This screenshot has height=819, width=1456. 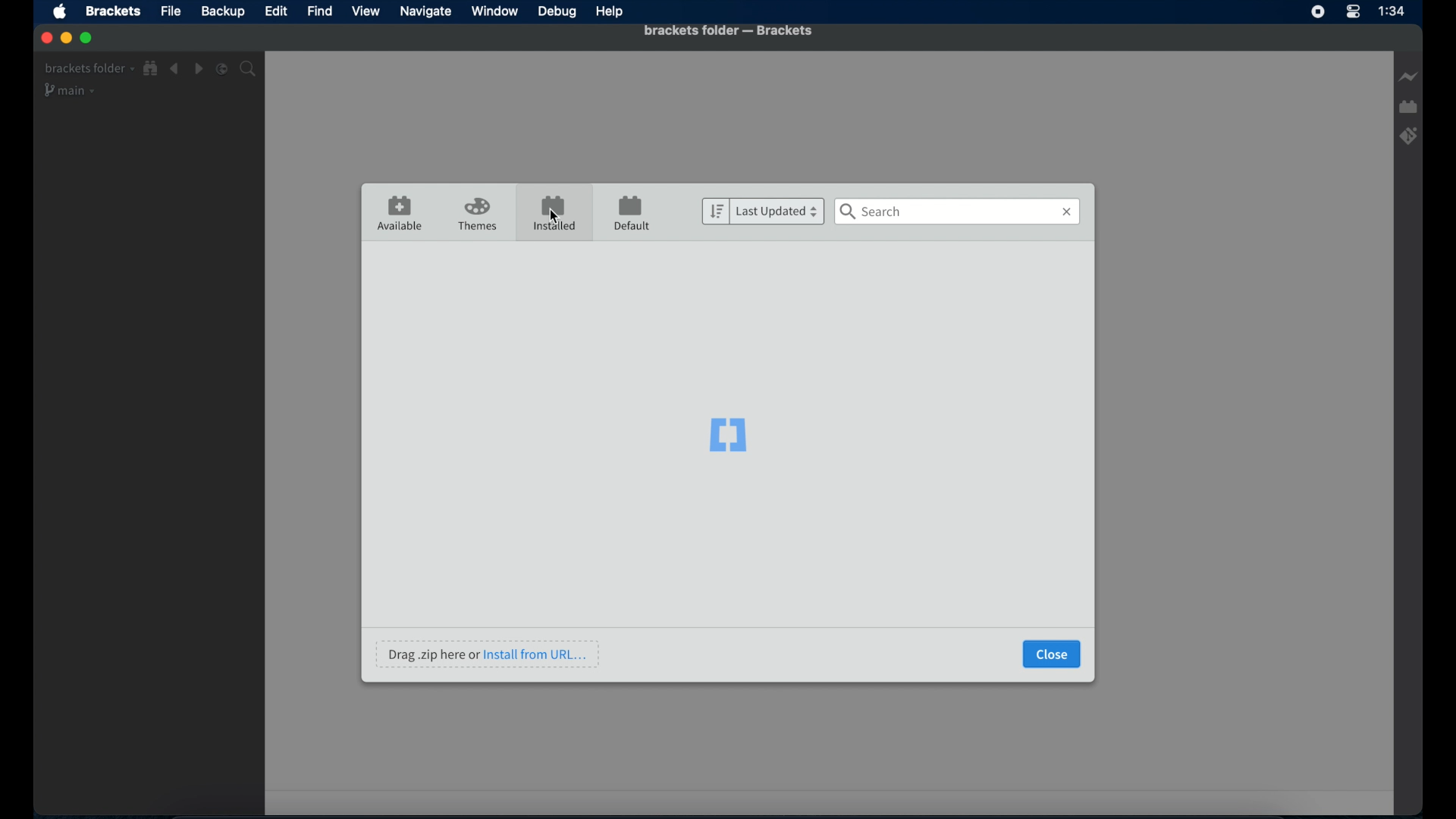 What do you see at coordinates (778, 211) in the screenshot?
I see `last updated` at bounding box center [778, 211].